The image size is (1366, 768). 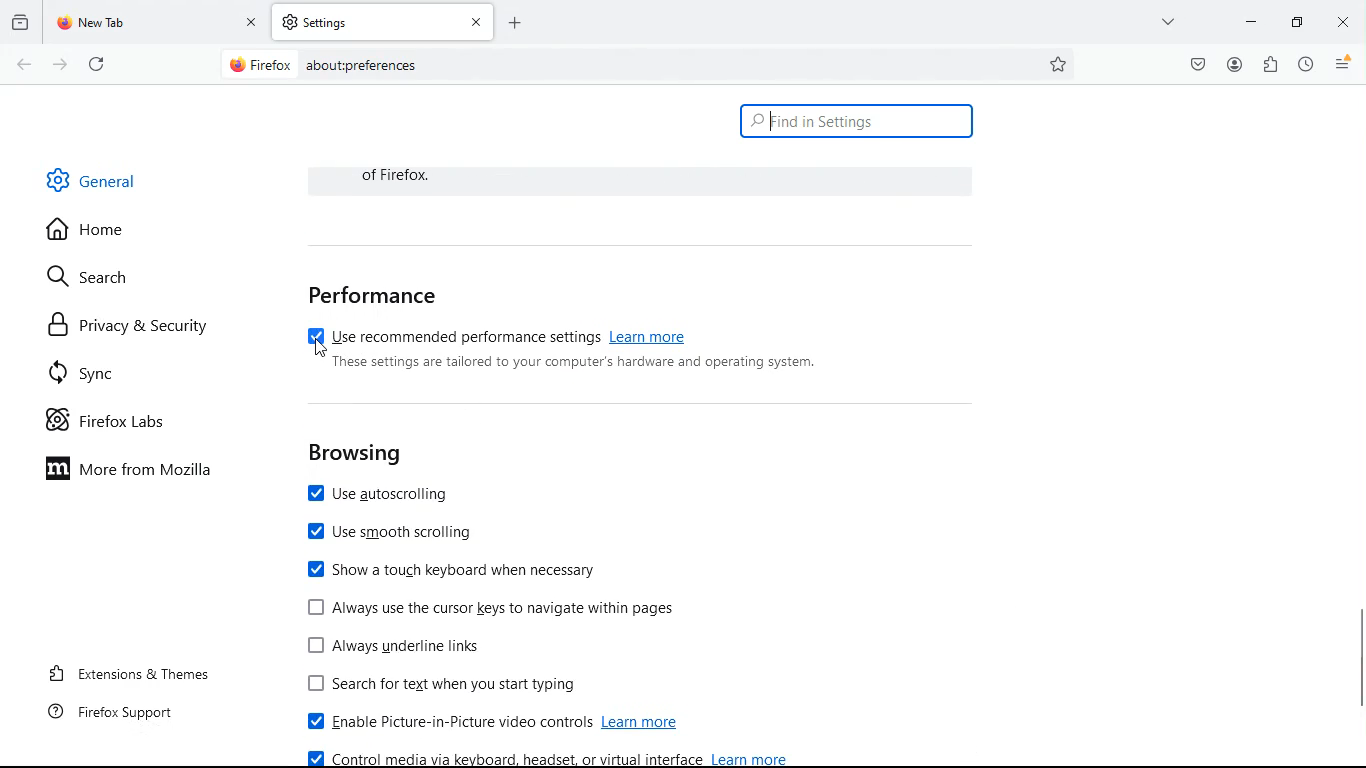 What do you see at coordinates (114, 423) in the screenshot?
I see `firefox labs` at bounding box center [114, 423].